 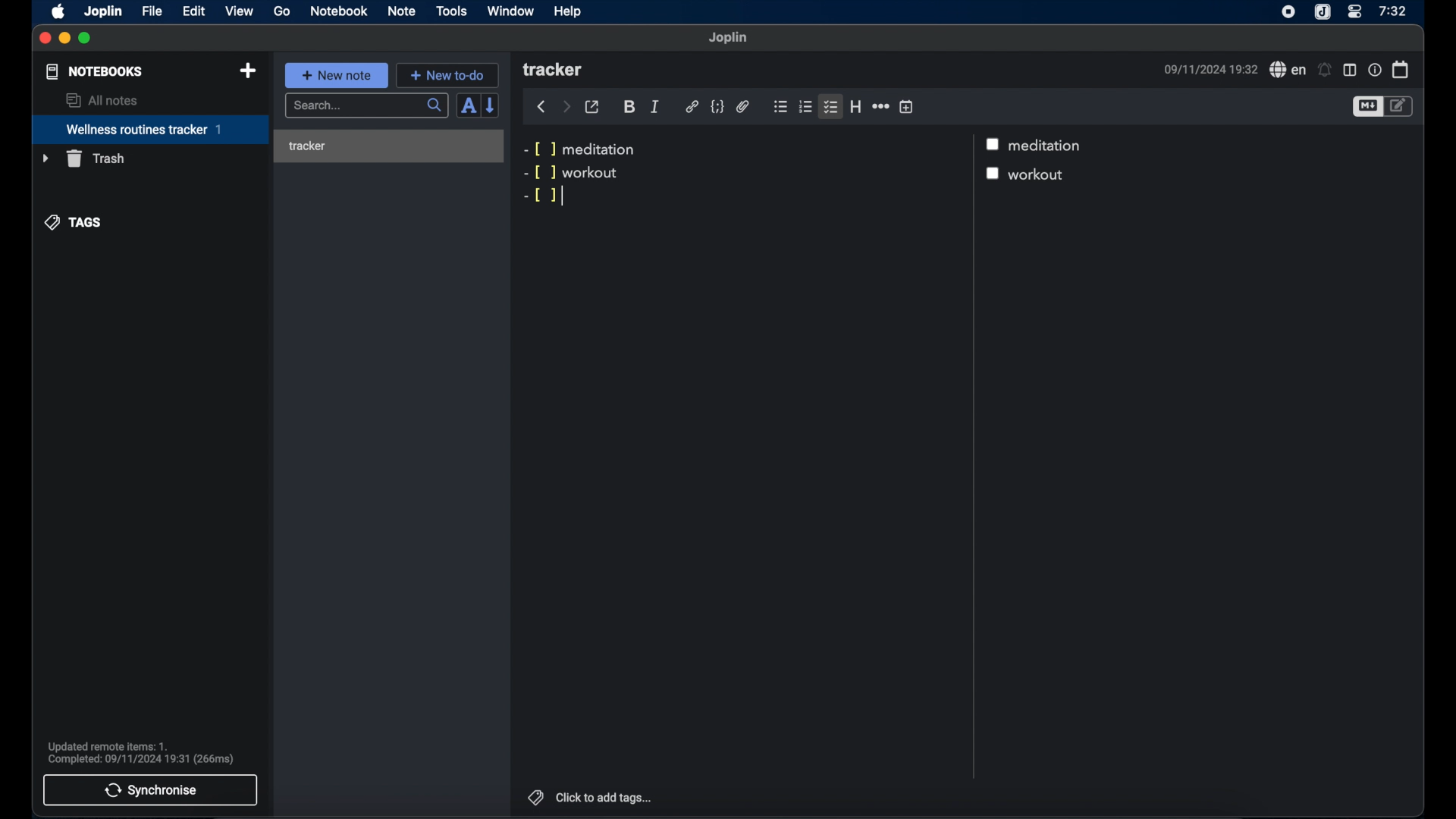 I want to click on trash, so click(x=83, y=158).